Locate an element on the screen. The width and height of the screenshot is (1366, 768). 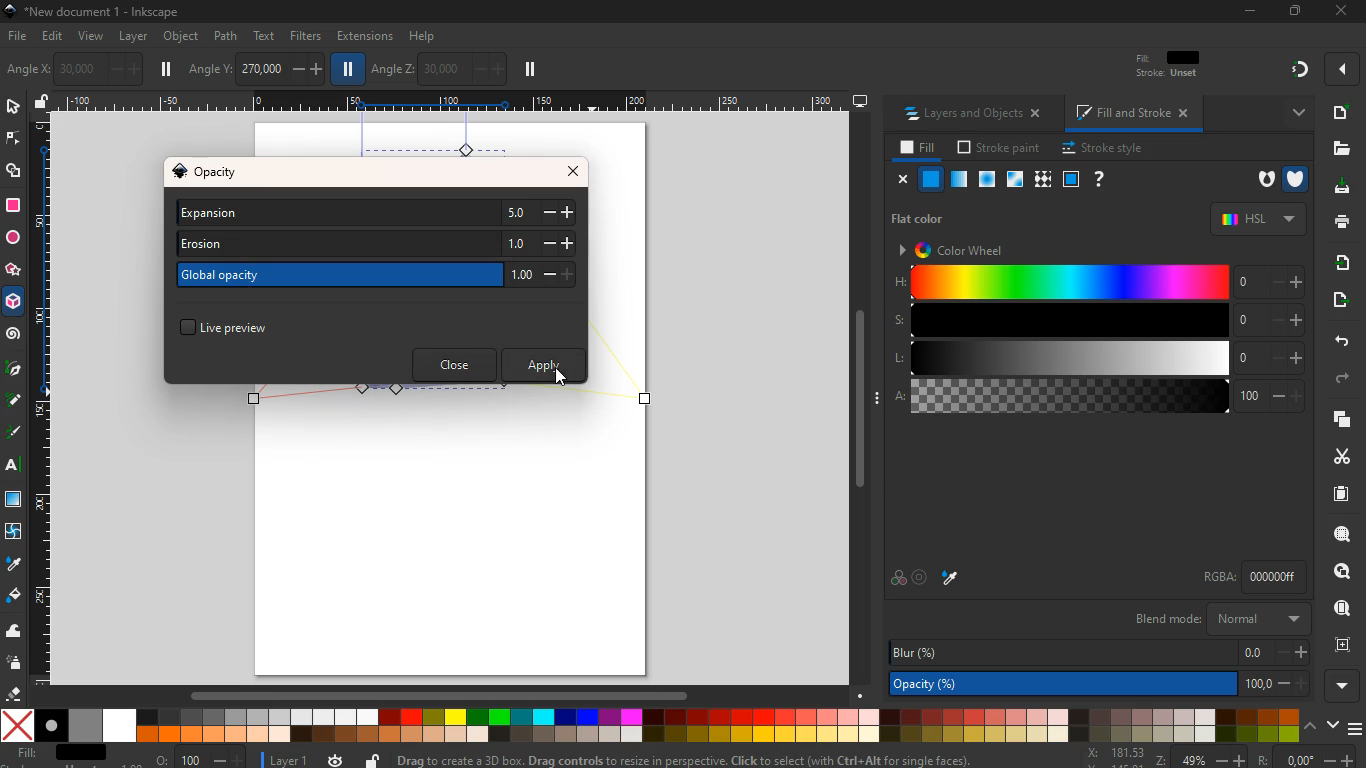
square is located at coordinates (13, 205).